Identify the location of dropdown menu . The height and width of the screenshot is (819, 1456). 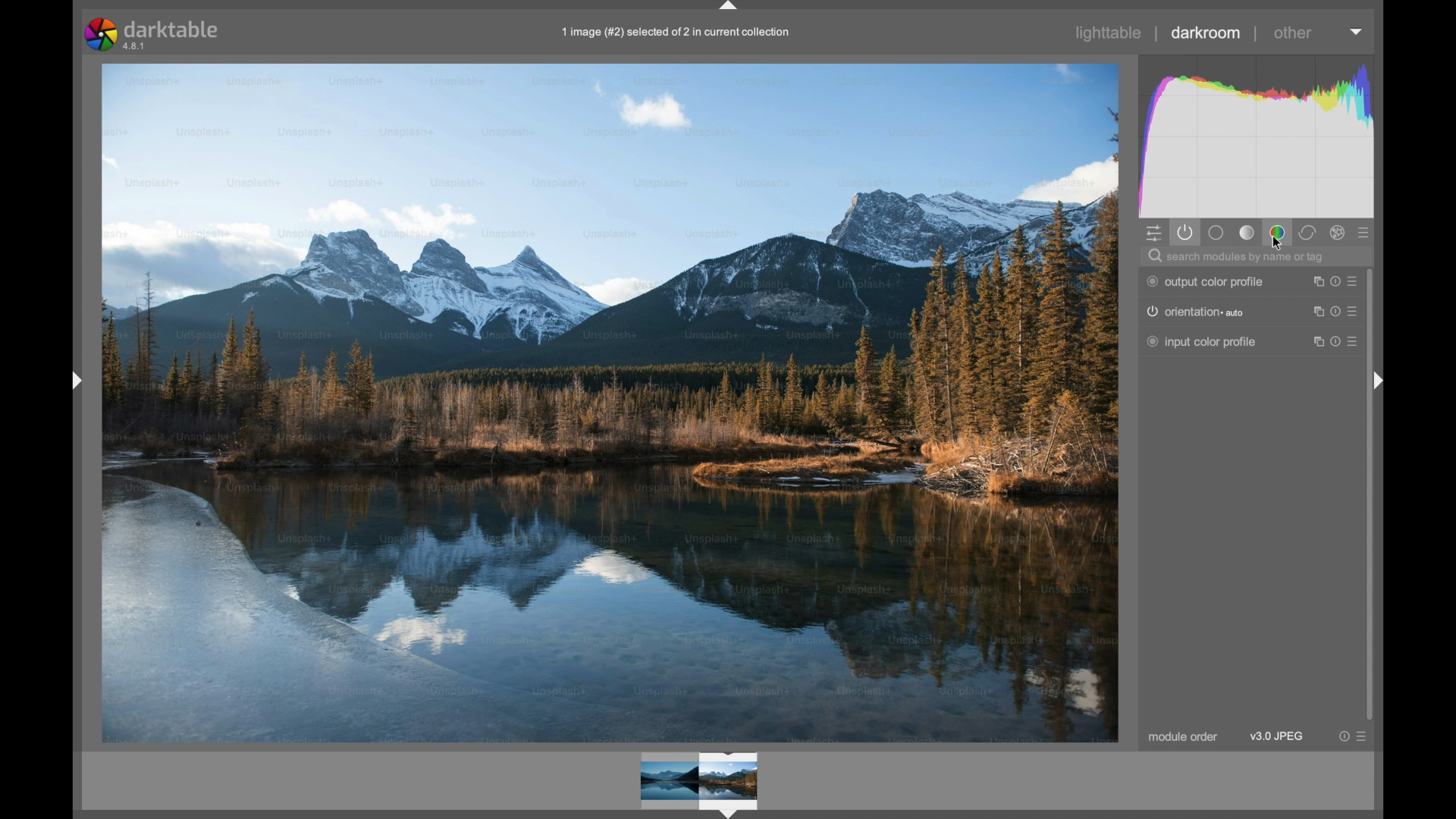
(1357, 31).